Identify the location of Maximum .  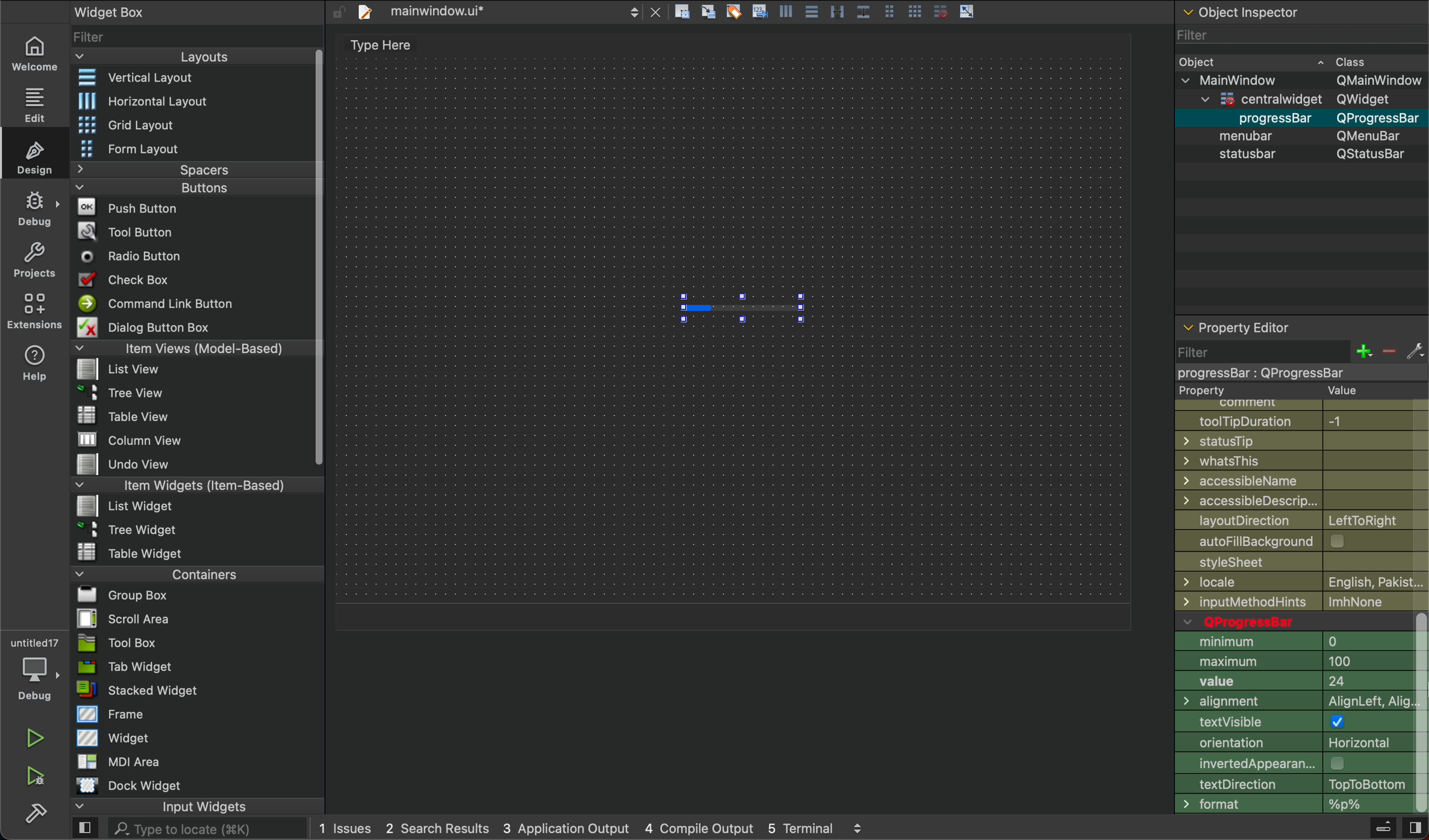
(1293, 661).